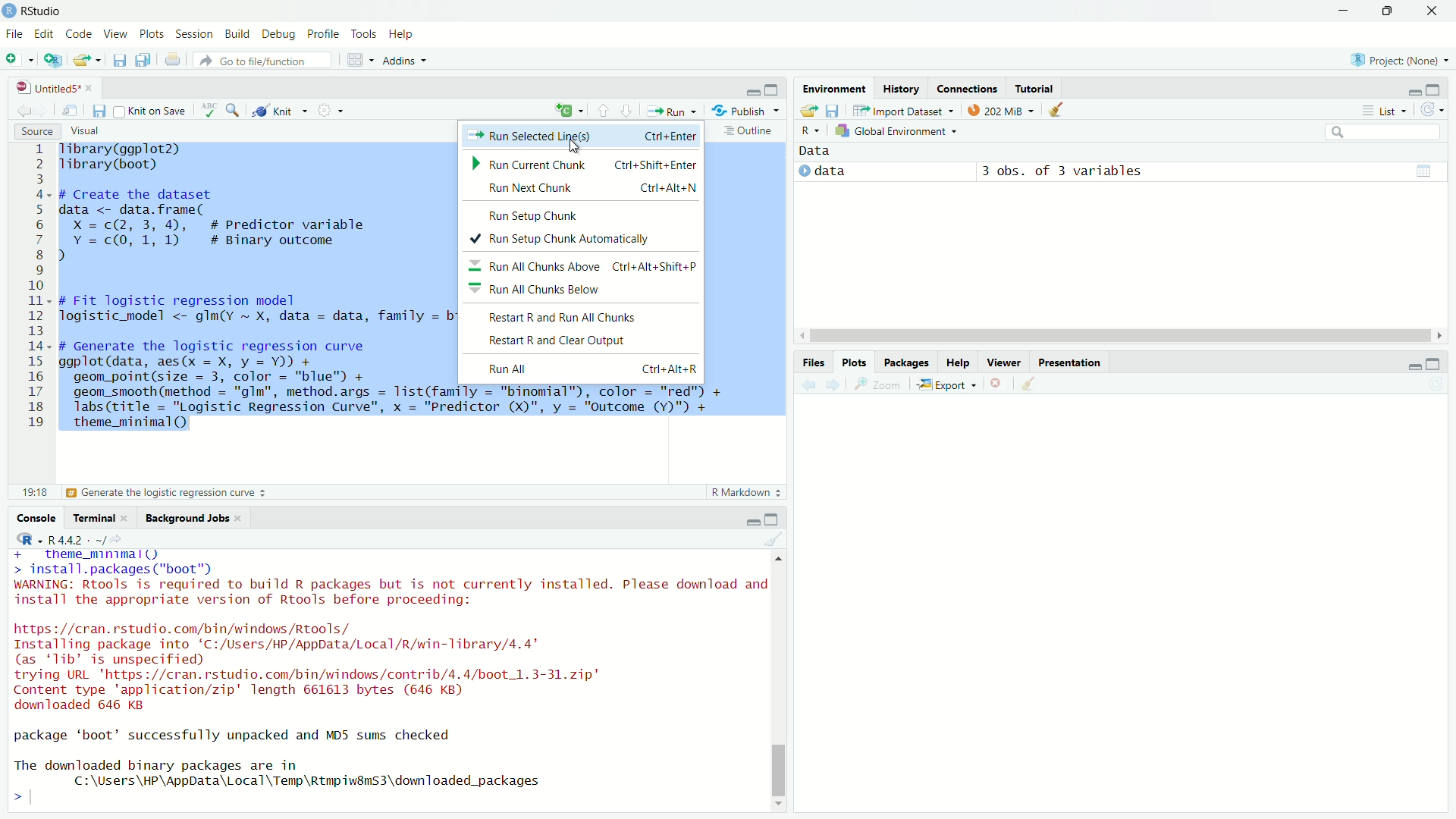 This screenshot has height=819, width=1456. I want to click on Previous plot, so click(808, 385).